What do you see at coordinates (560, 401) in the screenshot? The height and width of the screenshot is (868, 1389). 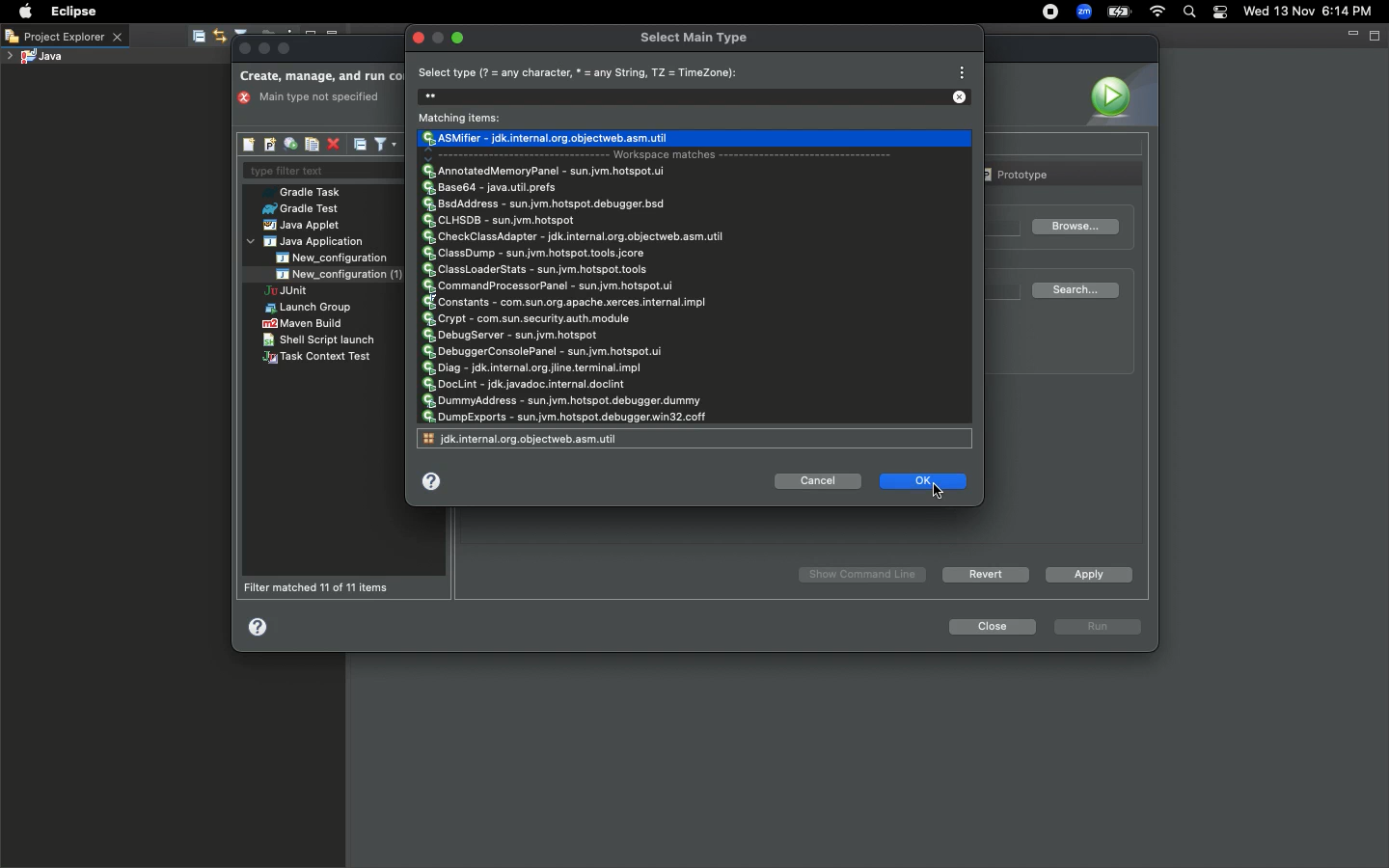 I see `DummyAddress - sun.jvm.hotspot.debugger.dummy` at bounding box center [560, 401].